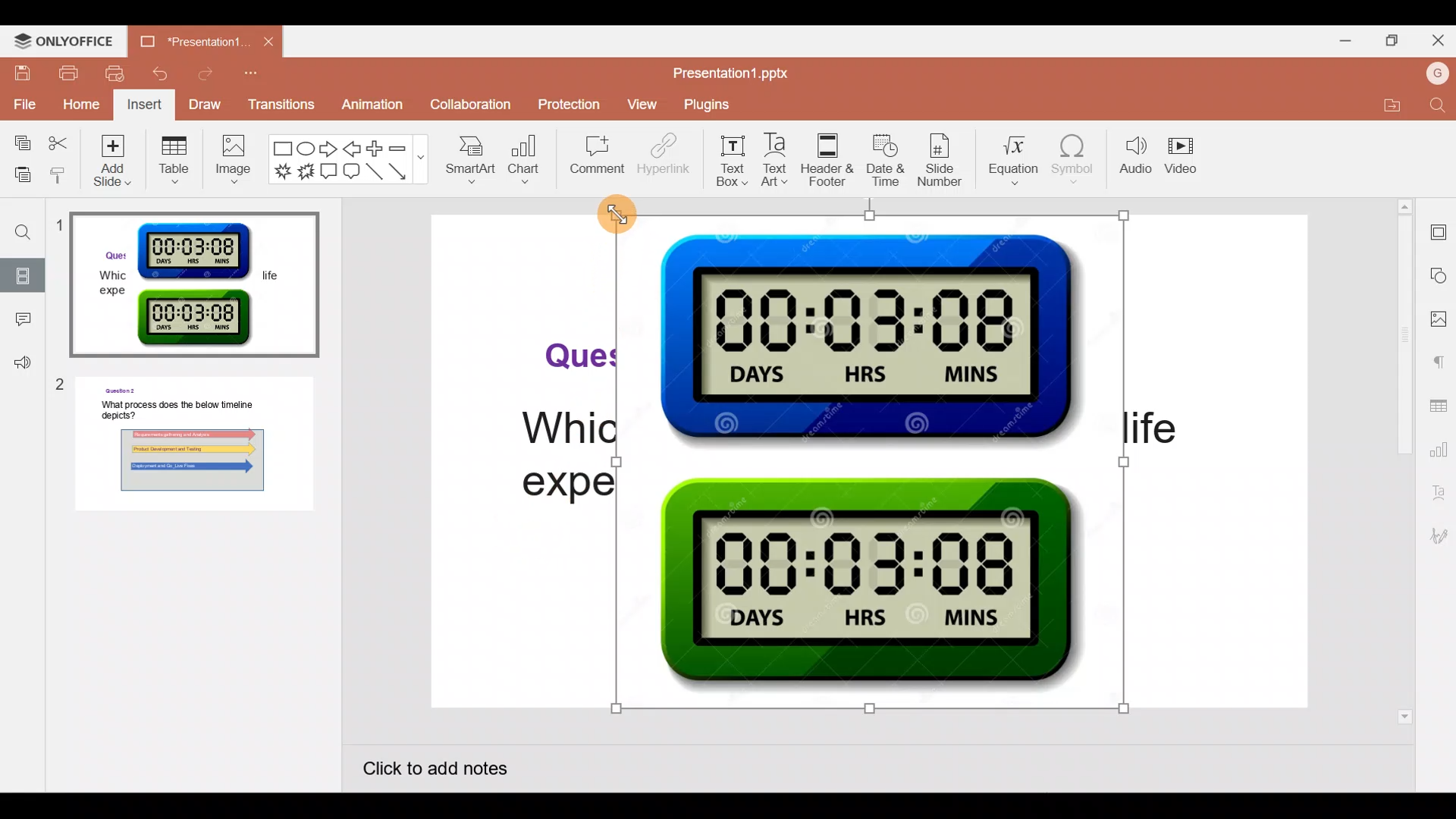 The width and height of the screenshot is (1456, 819). What do you see at coordinates (1439, 362) in the screenshot?
I see `Paragraph settings` at bounding box center [1439, 362].